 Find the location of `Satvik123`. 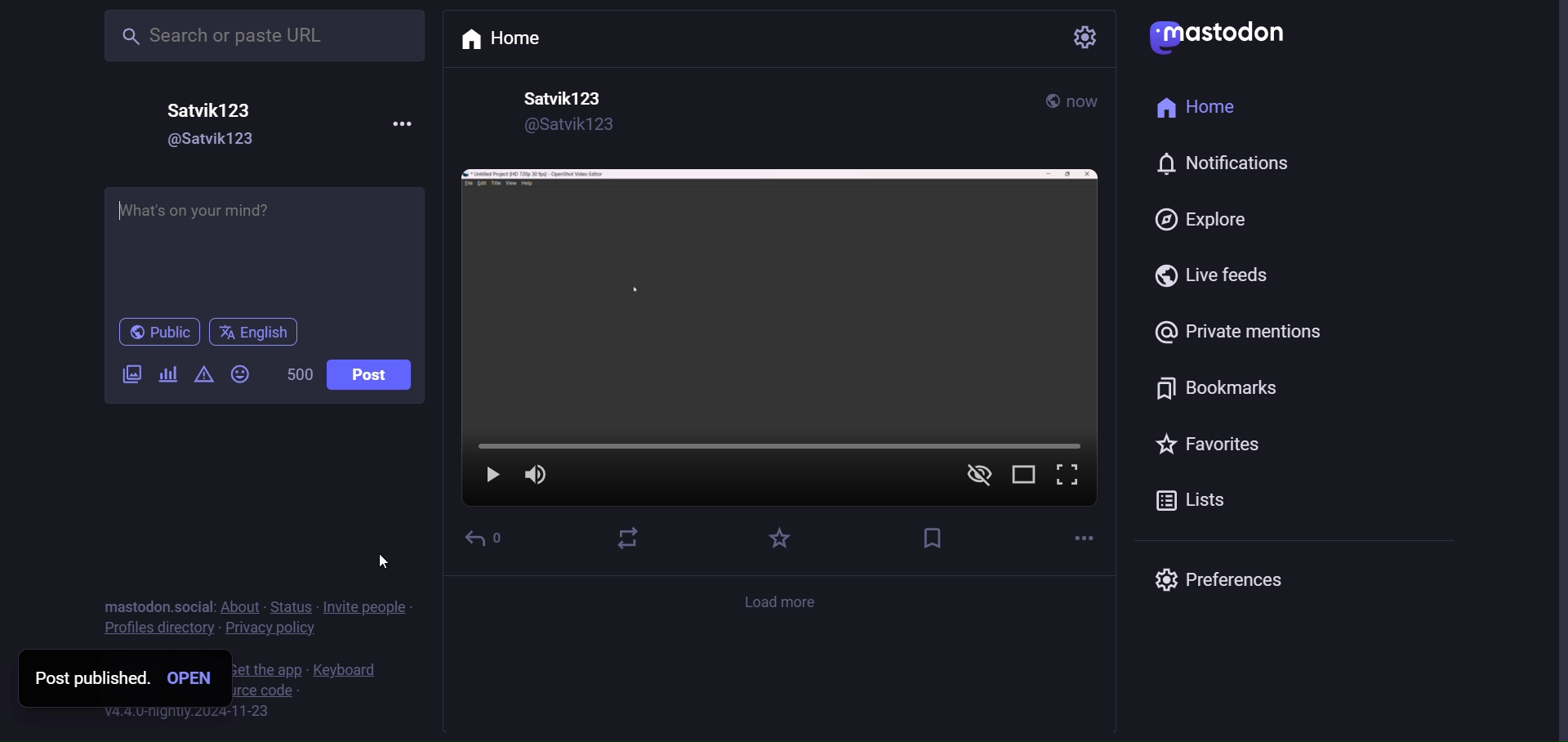

Satvik123 is located at coordinates (212, 110).